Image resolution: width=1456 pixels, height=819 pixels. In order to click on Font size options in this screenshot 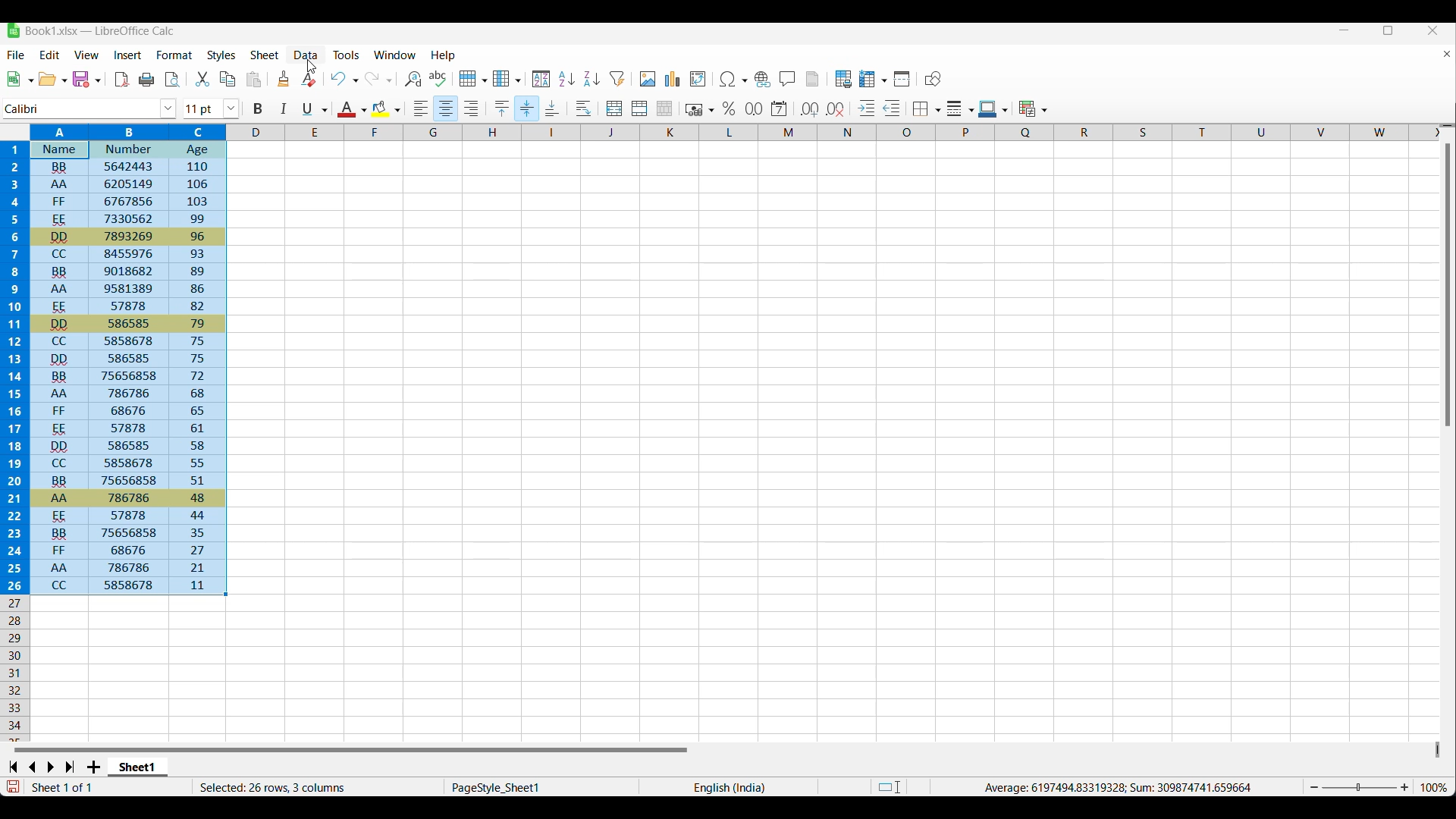, I will do `click(231, 108)`.